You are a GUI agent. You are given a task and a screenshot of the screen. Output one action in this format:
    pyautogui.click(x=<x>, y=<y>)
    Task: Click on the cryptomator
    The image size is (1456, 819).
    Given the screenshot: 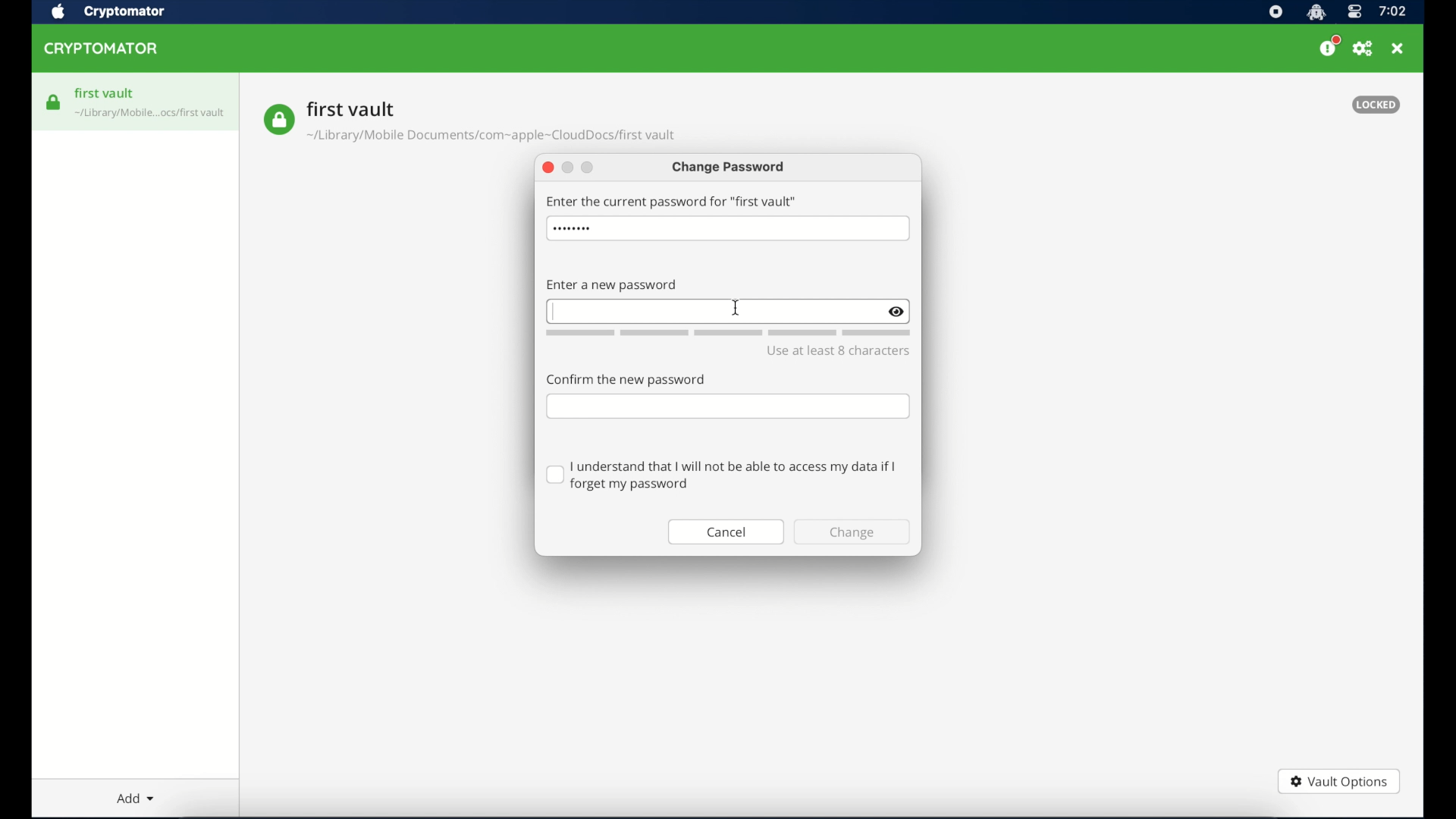 What is the action you would take?
    pyautogui.click(x=102, y=49)
    